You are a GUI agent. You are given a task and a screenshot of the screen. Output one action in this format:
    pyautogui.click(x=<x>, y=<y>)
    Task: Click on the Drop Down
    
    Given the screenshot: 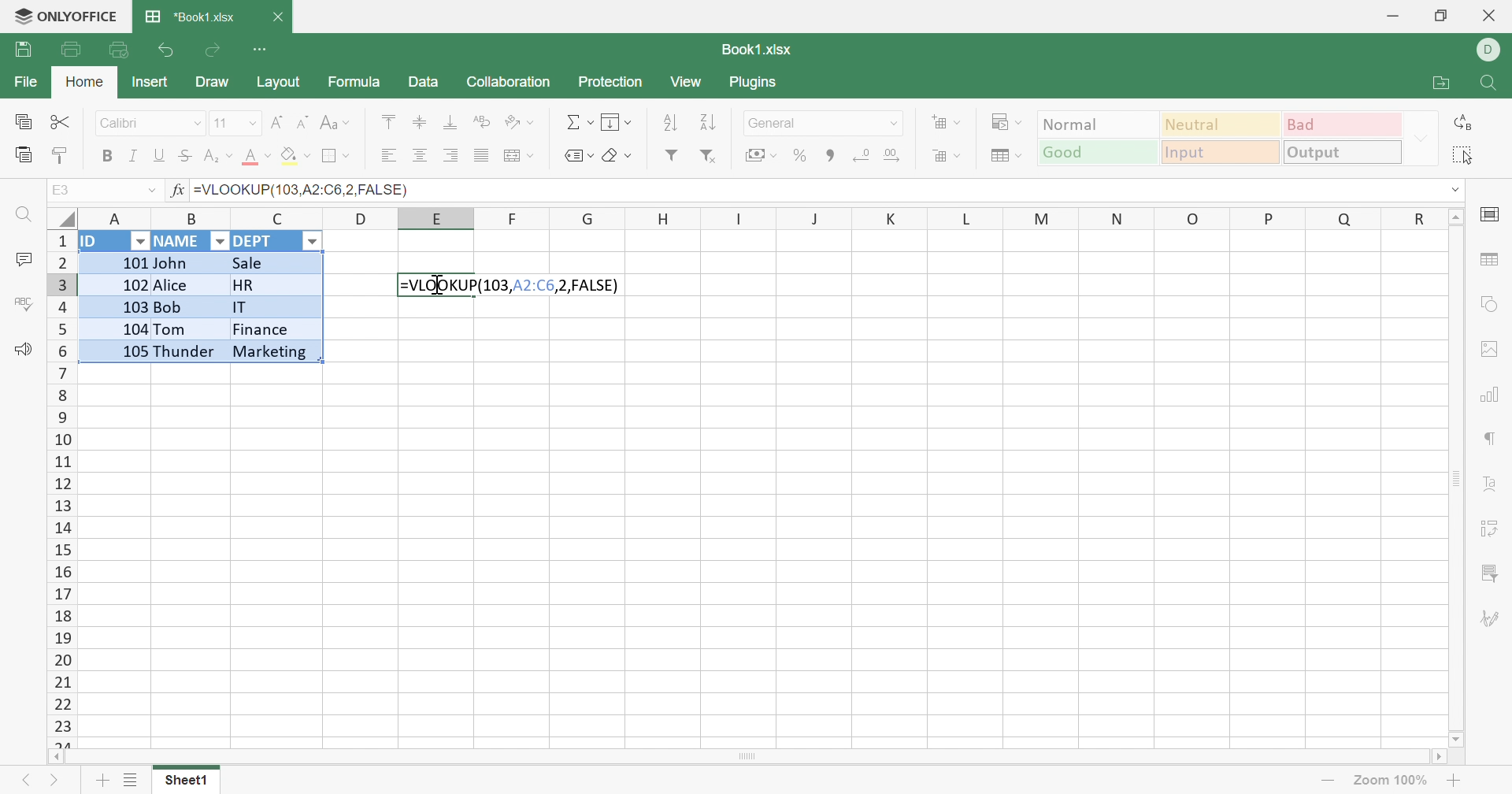 What is the action you would take?
    pyautogui.click(x=1418, y=139)
    